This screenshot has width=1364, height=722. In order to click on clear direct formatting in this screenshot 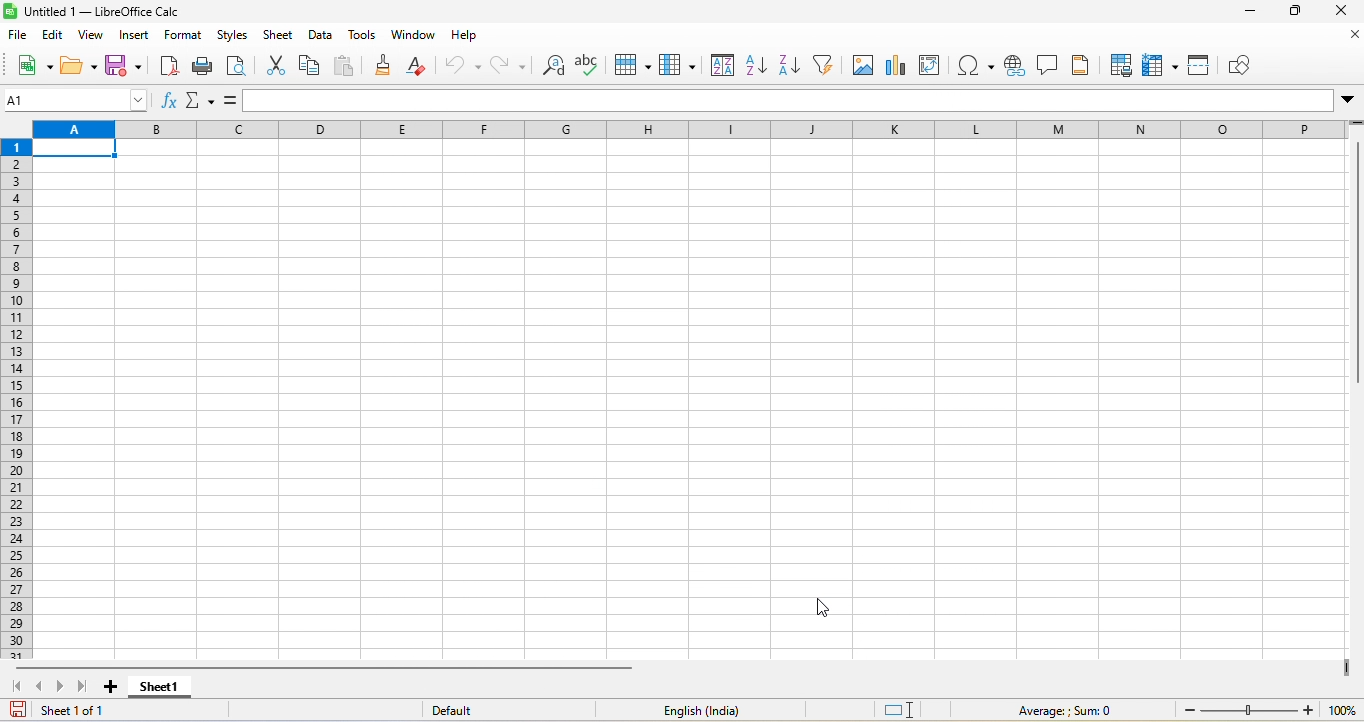, I will do `click(420, 65)`.